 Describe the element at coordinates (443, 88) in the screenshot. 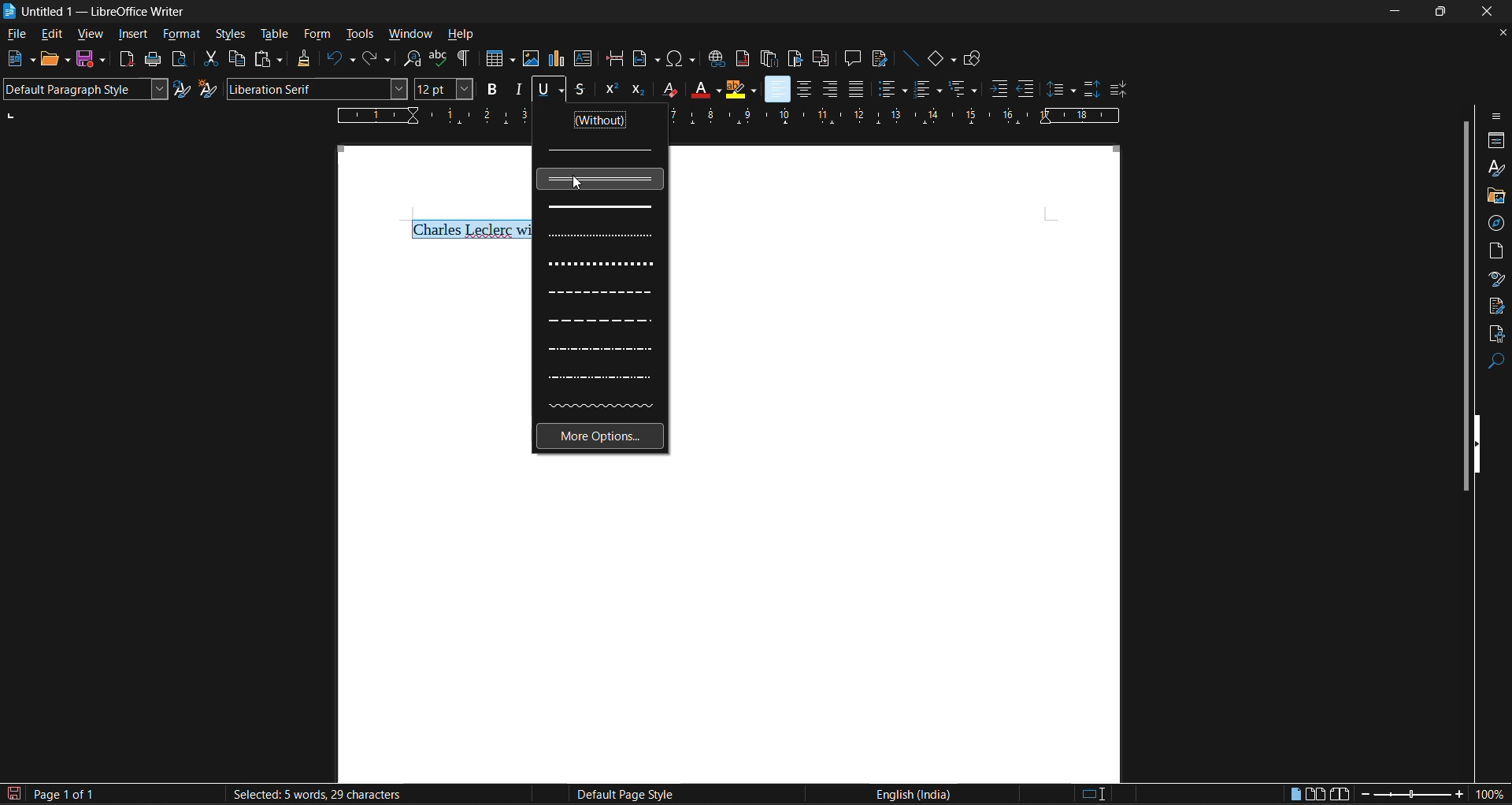

I see `font size` at that location.